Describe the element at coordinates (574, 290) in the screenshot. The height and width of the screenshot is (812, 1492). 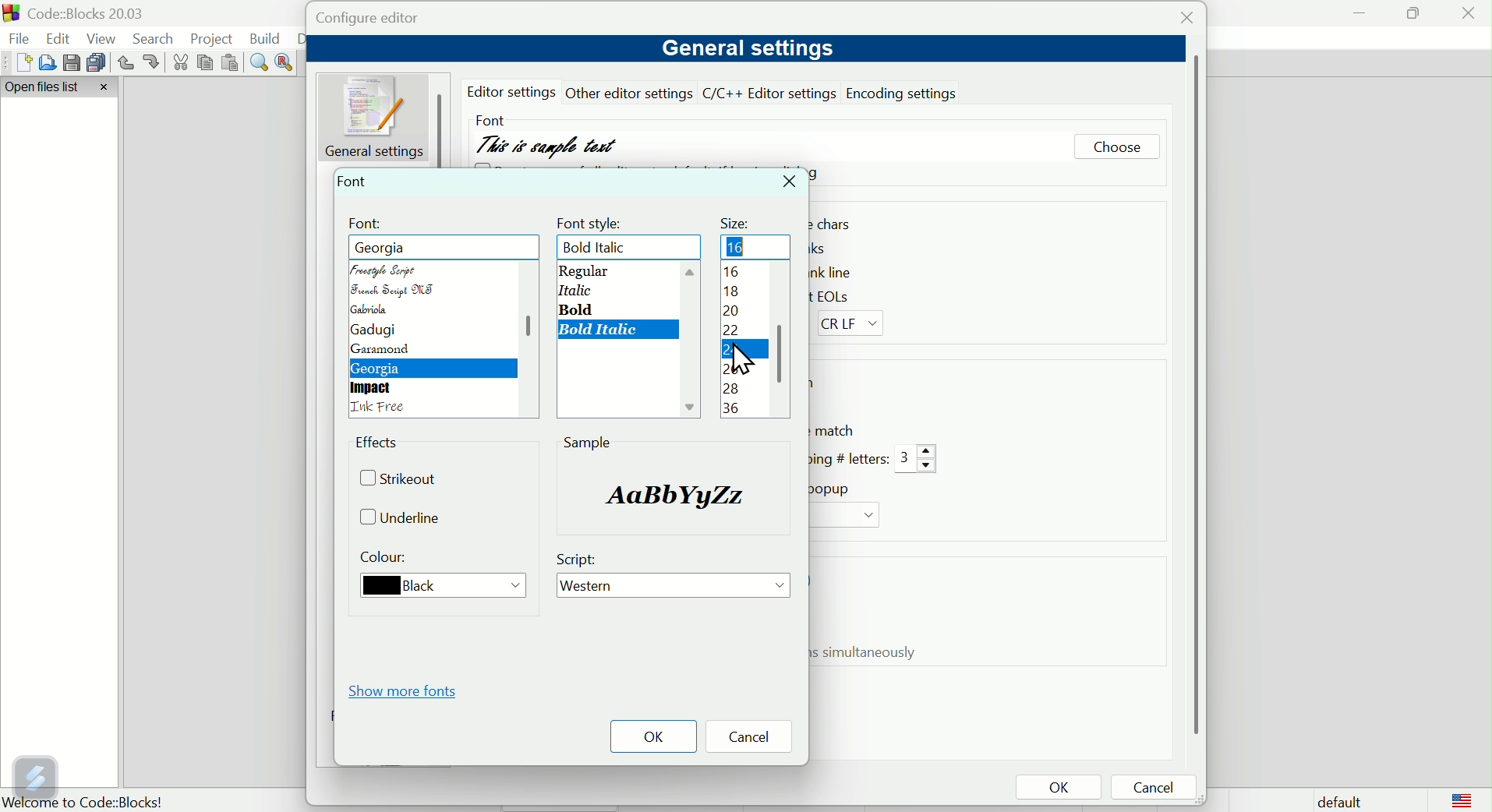
I see `Oblique` at that location.